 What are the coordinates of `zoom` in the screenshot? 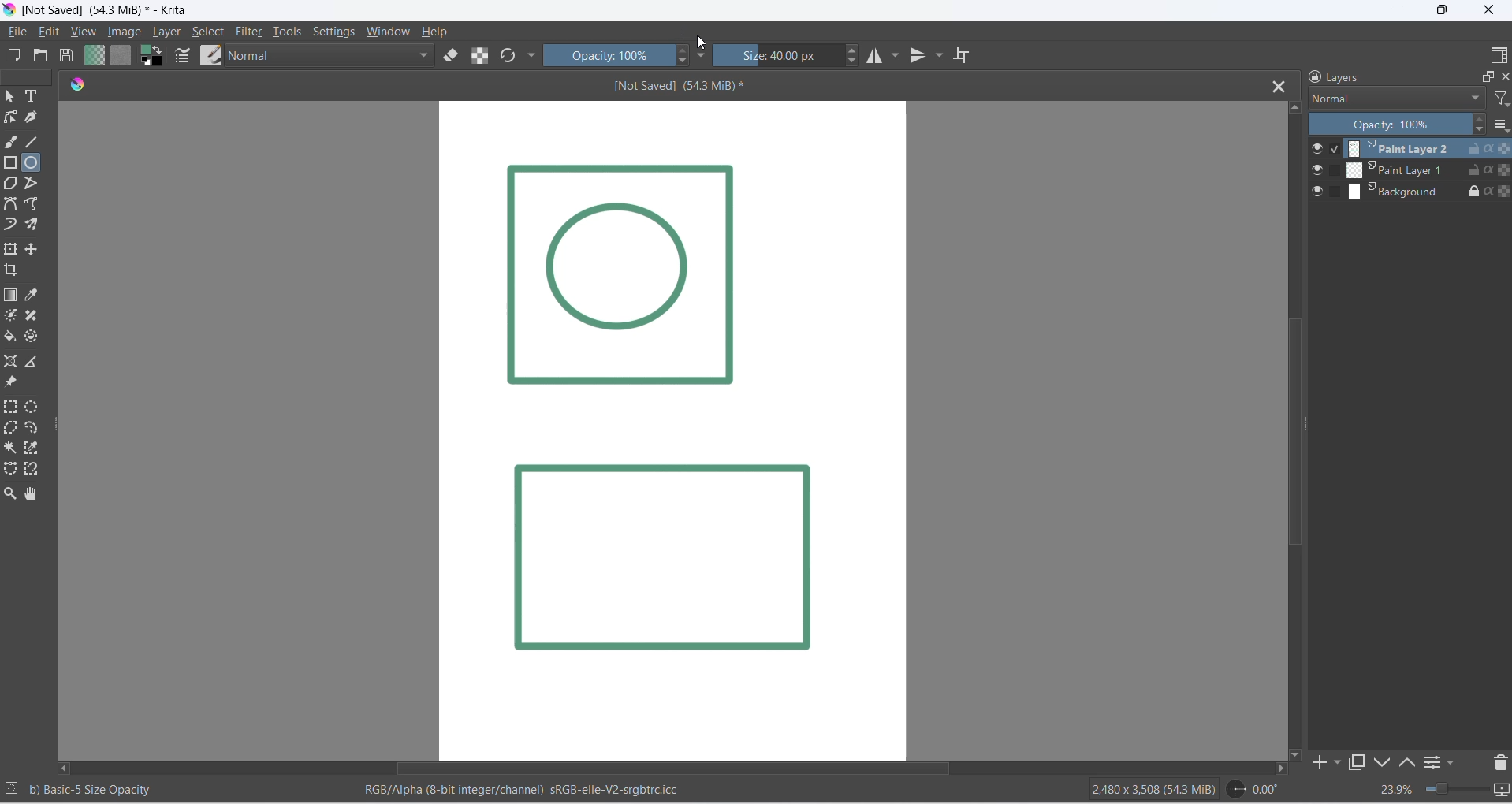 It's located at (1458, 787).